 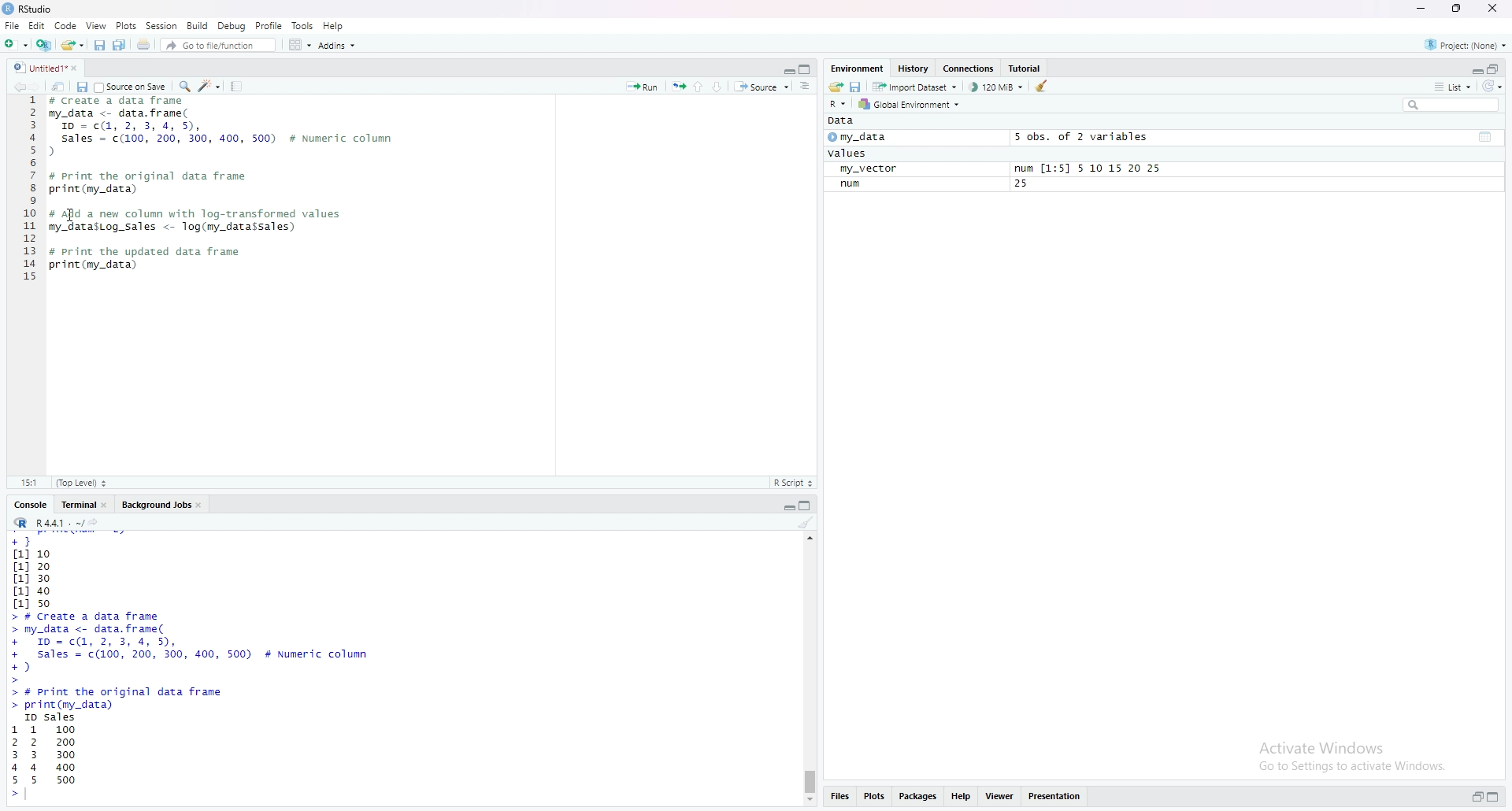 What do you see at coordinates (1473, 796) in the screenshot?
I see `minimize` at bounding box center [1473, 796].